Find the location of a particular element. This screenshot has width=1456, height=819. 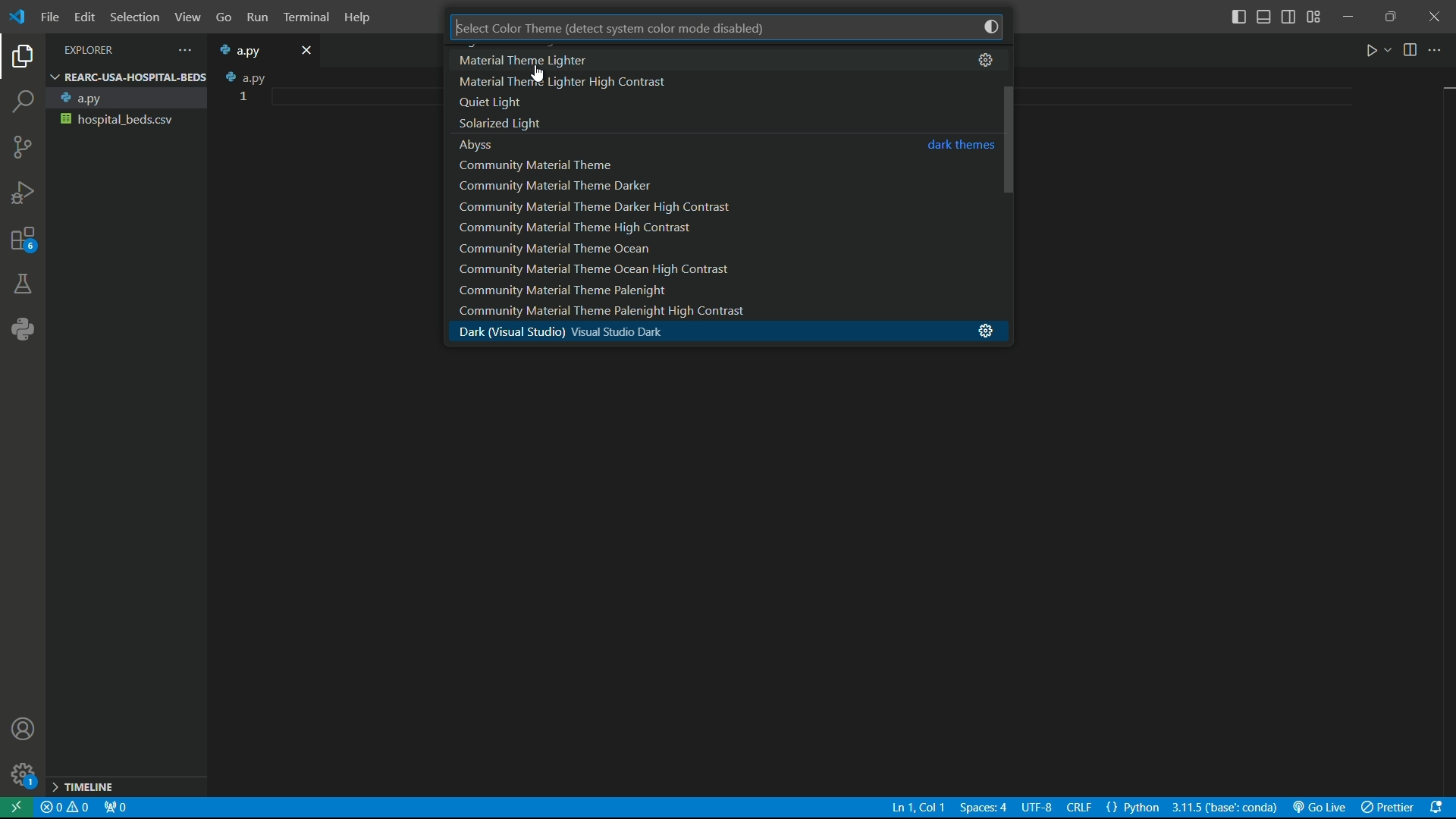

‘Community Material Theme High Contrast is located at coordinates (588, 229).